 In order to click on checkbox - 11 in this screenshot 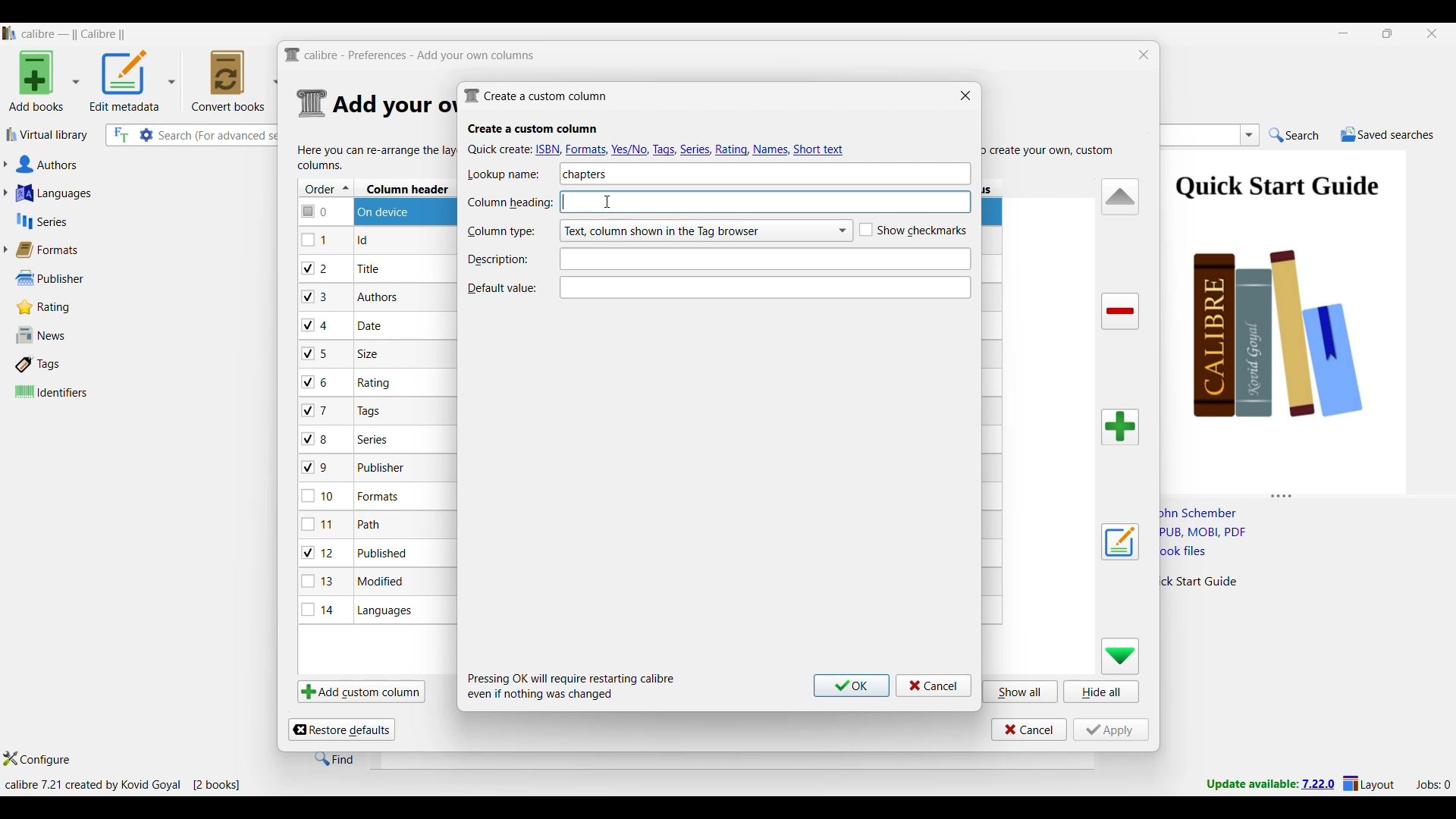, I will do `click(320, 524)`.